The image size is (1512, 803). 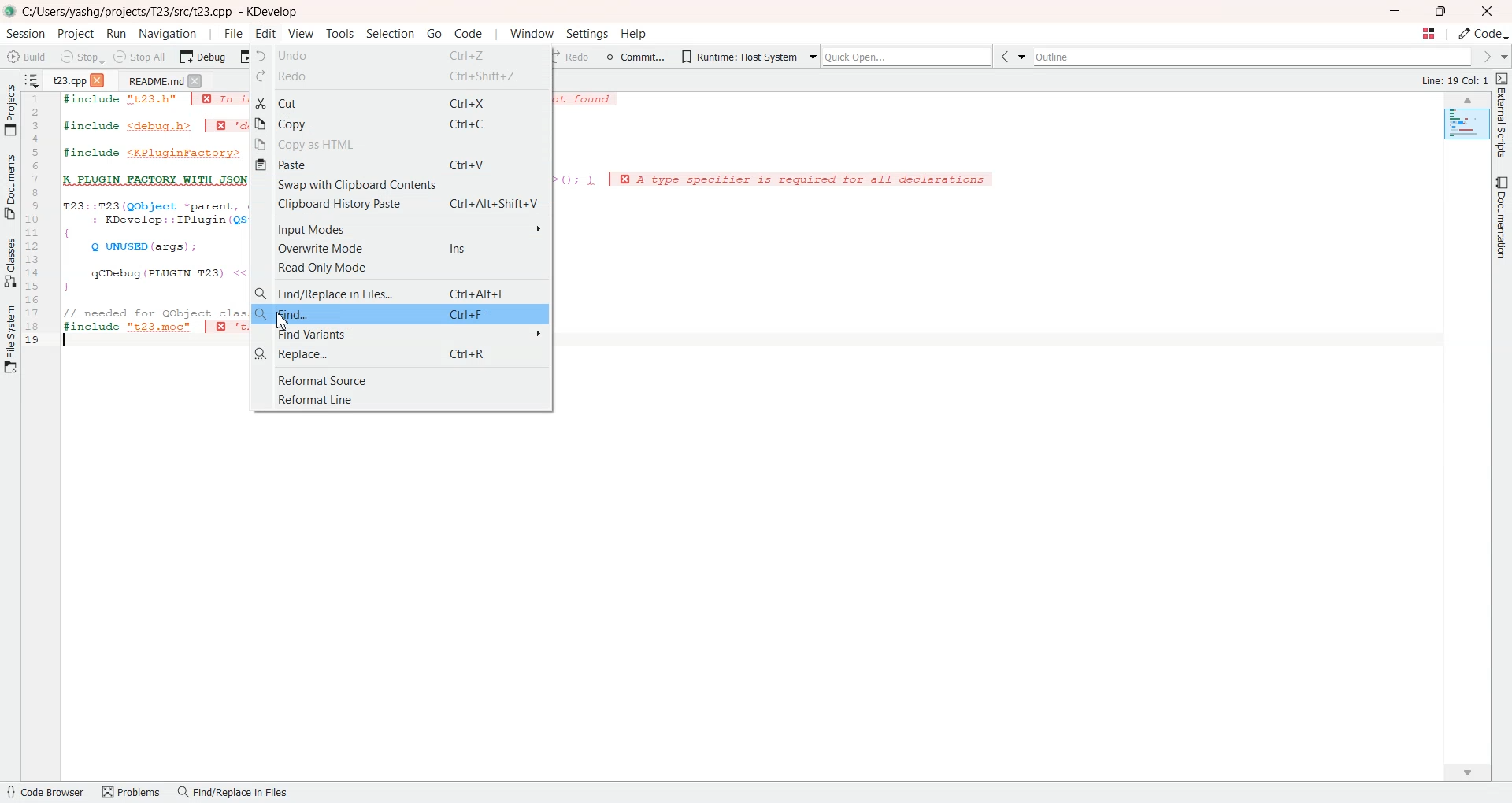 What do you see at coordinates (400, 399) in the screenshot?
I see `Reformat Line` at bounding box center [400, 399].